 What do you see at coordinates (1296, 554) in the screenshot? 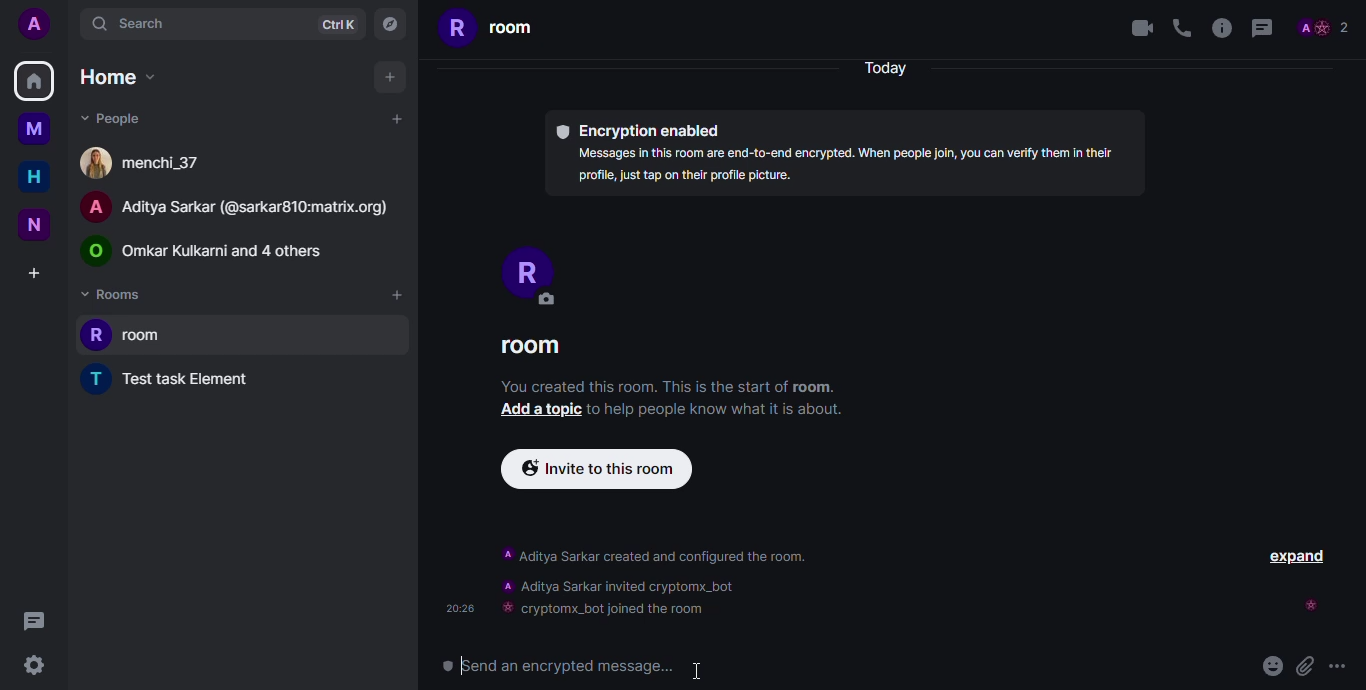
I see `EXPAND` at bounding box center [1296, 554].